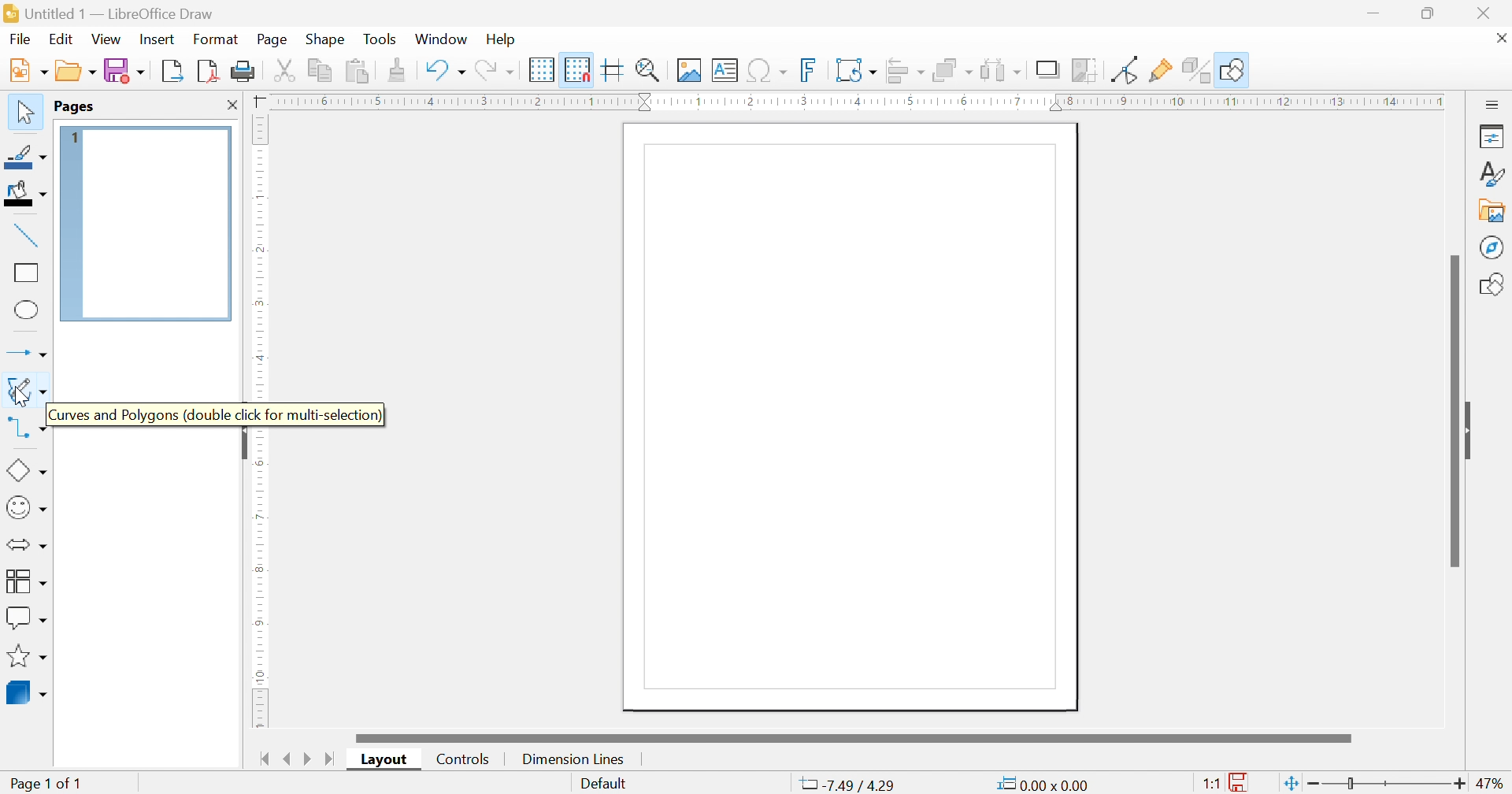 The height and width of the screenshot is (794, 1512). Describe the element at coordinates (724, 70) in the screenshot. I see `insert text box` at that location.